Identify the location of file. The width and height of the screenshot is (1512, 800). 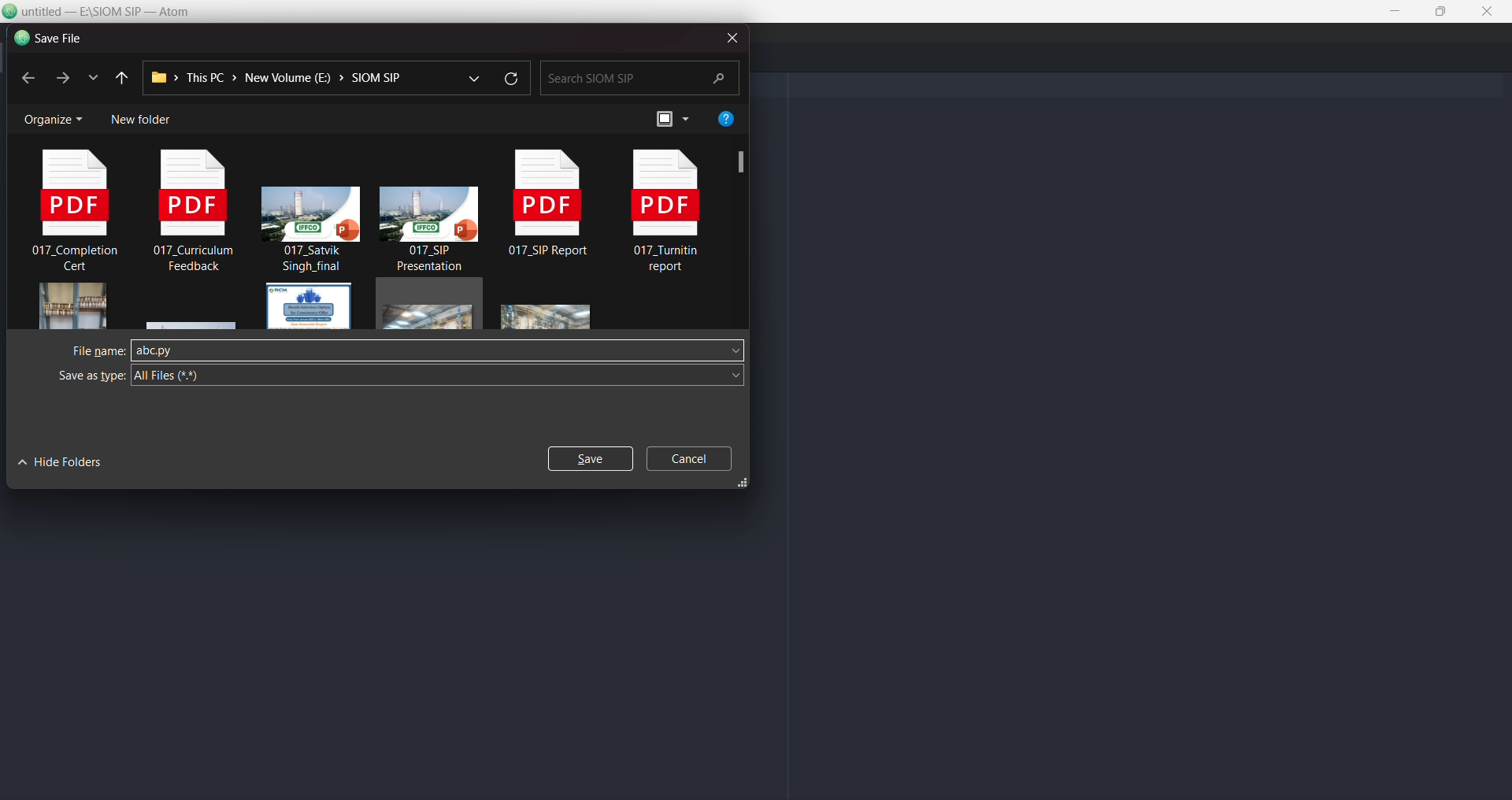
(306, 306).